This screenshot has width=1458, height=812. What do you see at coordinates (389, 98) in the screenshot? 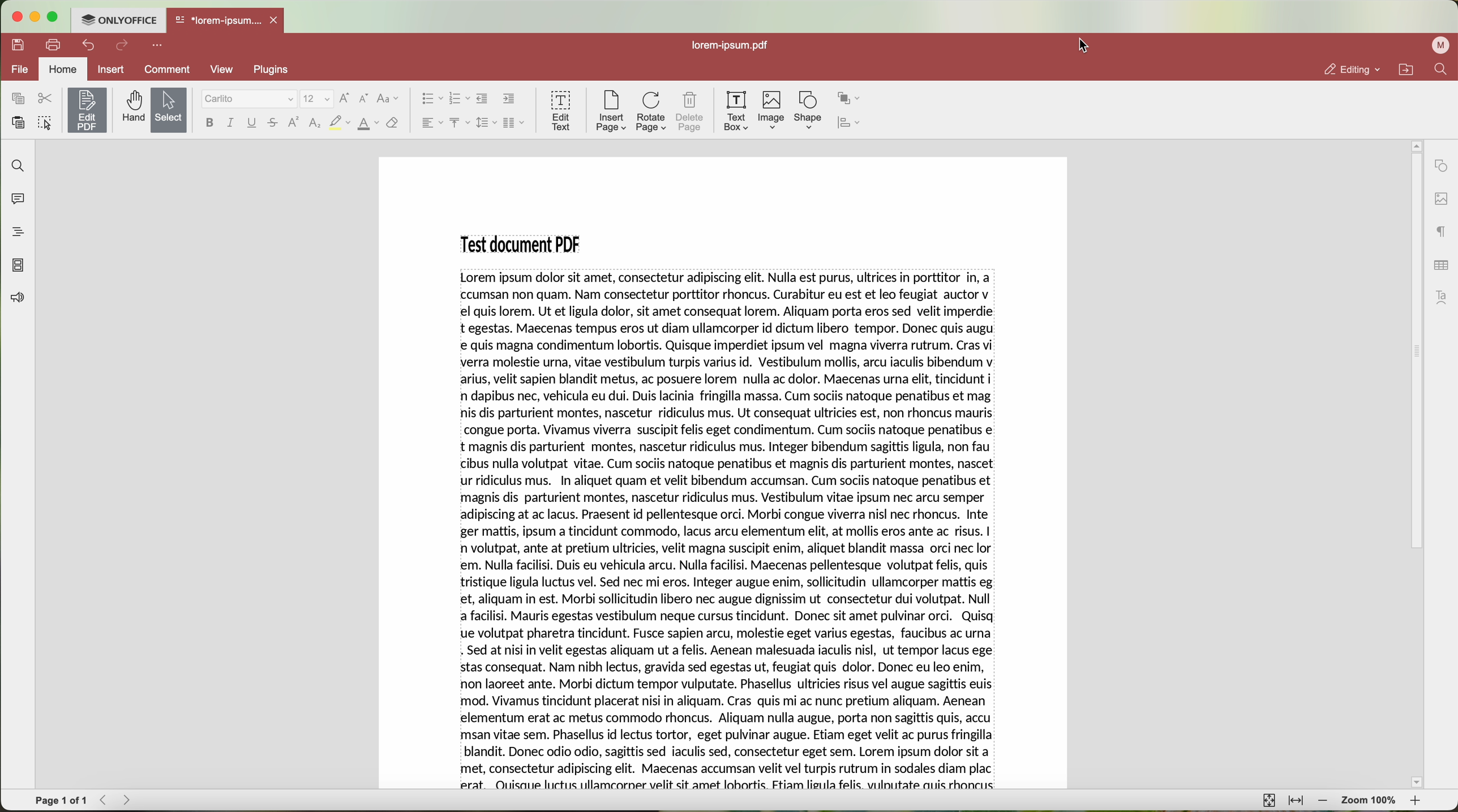
I see `change case` at bounding box center [389, 98].